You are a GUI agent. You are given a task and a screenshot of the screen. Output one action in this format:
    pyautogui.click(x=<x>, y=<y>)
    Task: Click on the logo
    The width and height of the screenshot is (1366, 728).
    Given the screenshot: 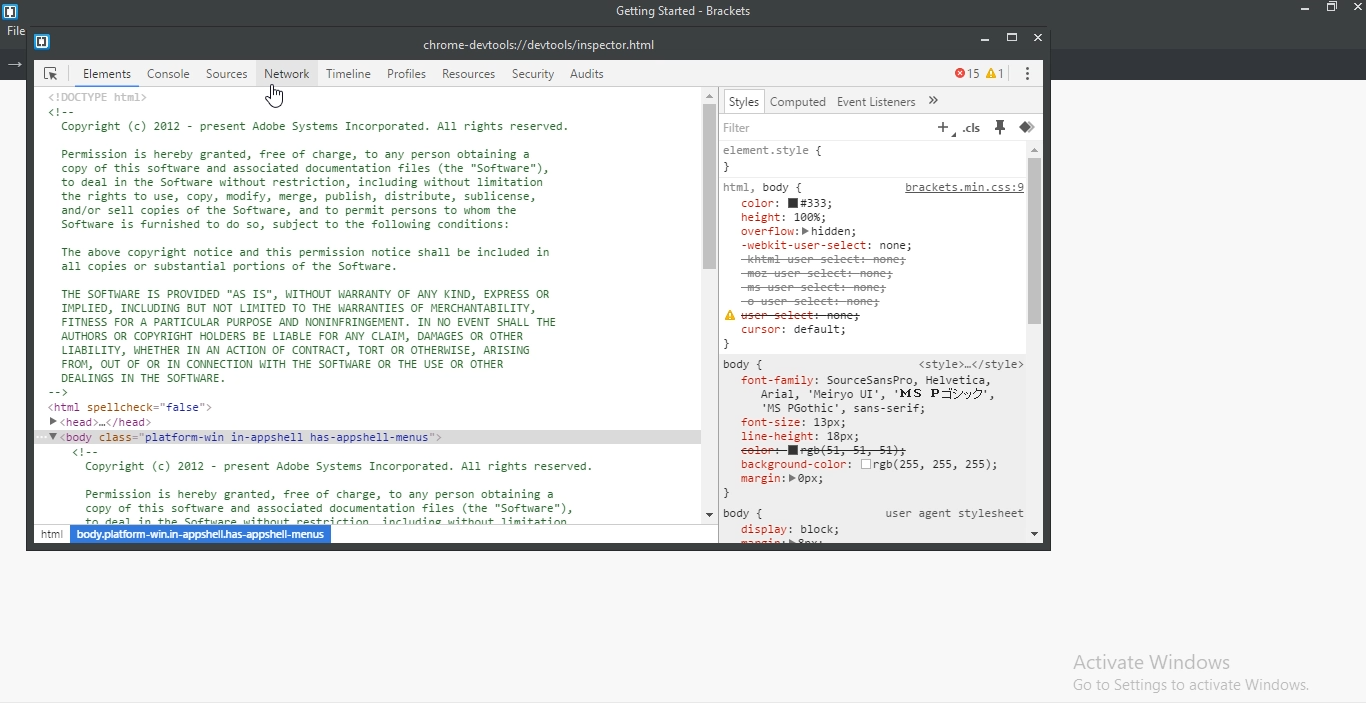 What is the action you would take?
    pyautogui.click(x=15, y=11)
    